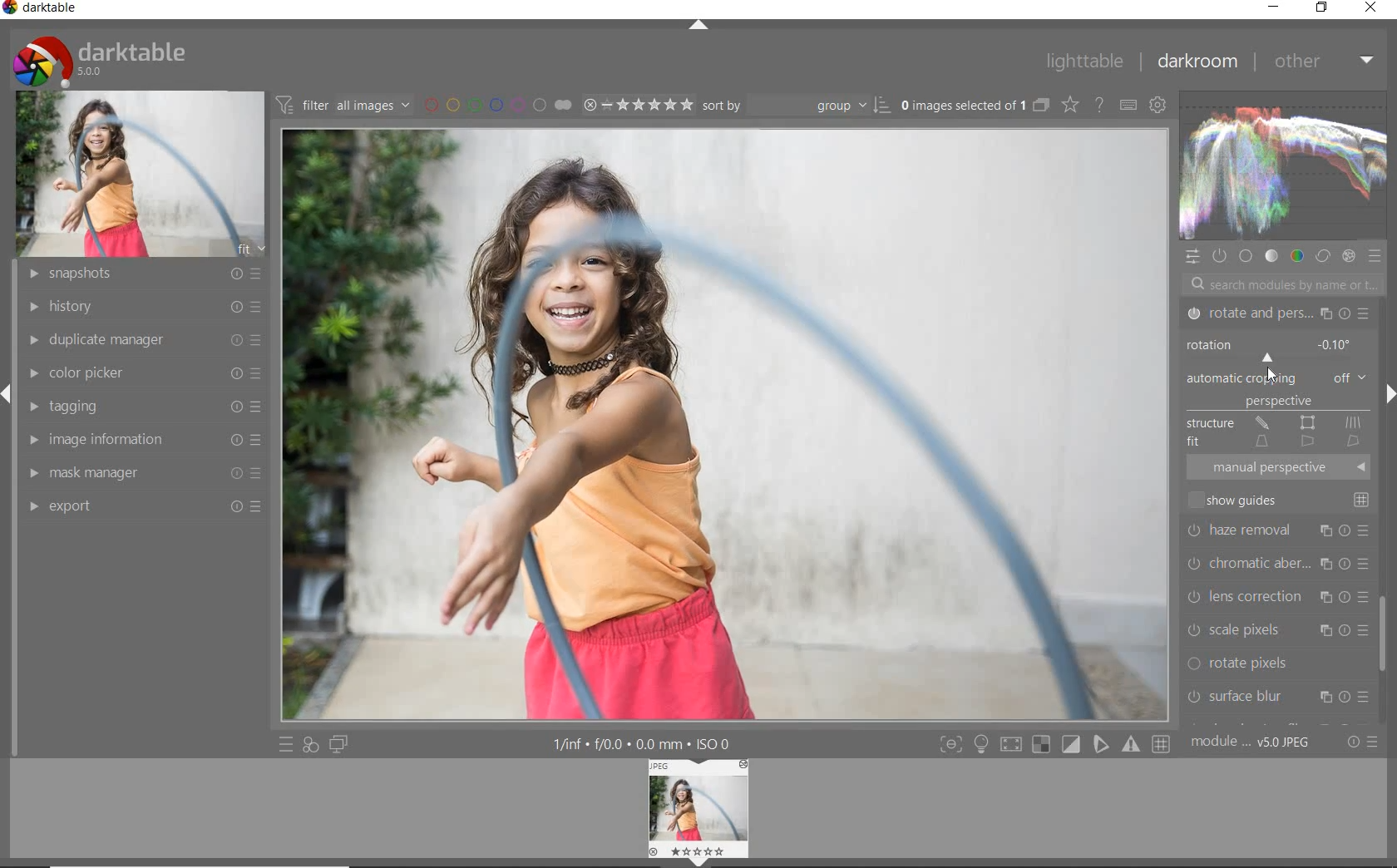  I want to click on STRUCTURE, so click(1274, 423).